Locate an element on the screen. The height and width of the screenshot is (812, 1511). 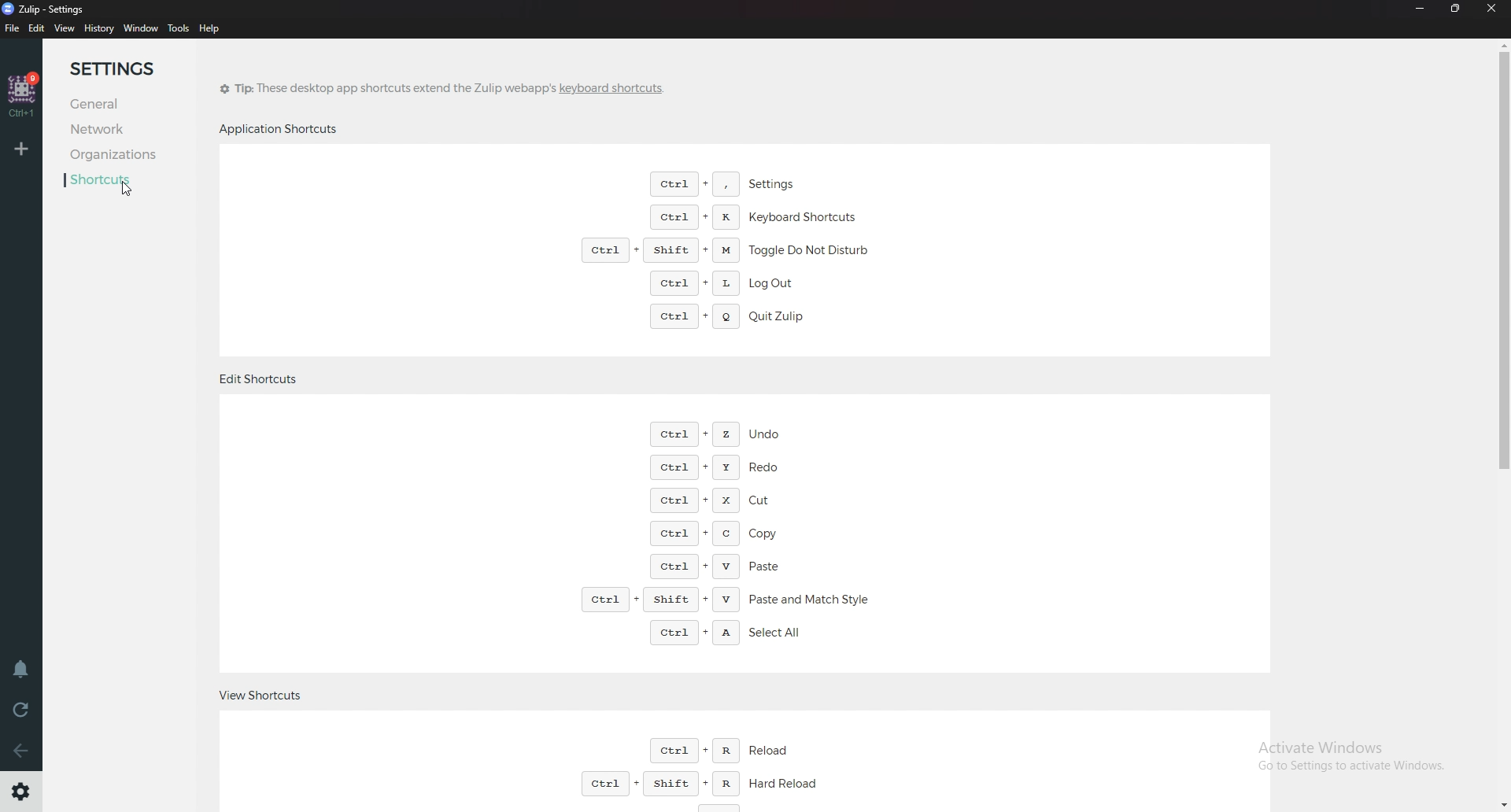
quit zulip is located at coordinates (726, 317).